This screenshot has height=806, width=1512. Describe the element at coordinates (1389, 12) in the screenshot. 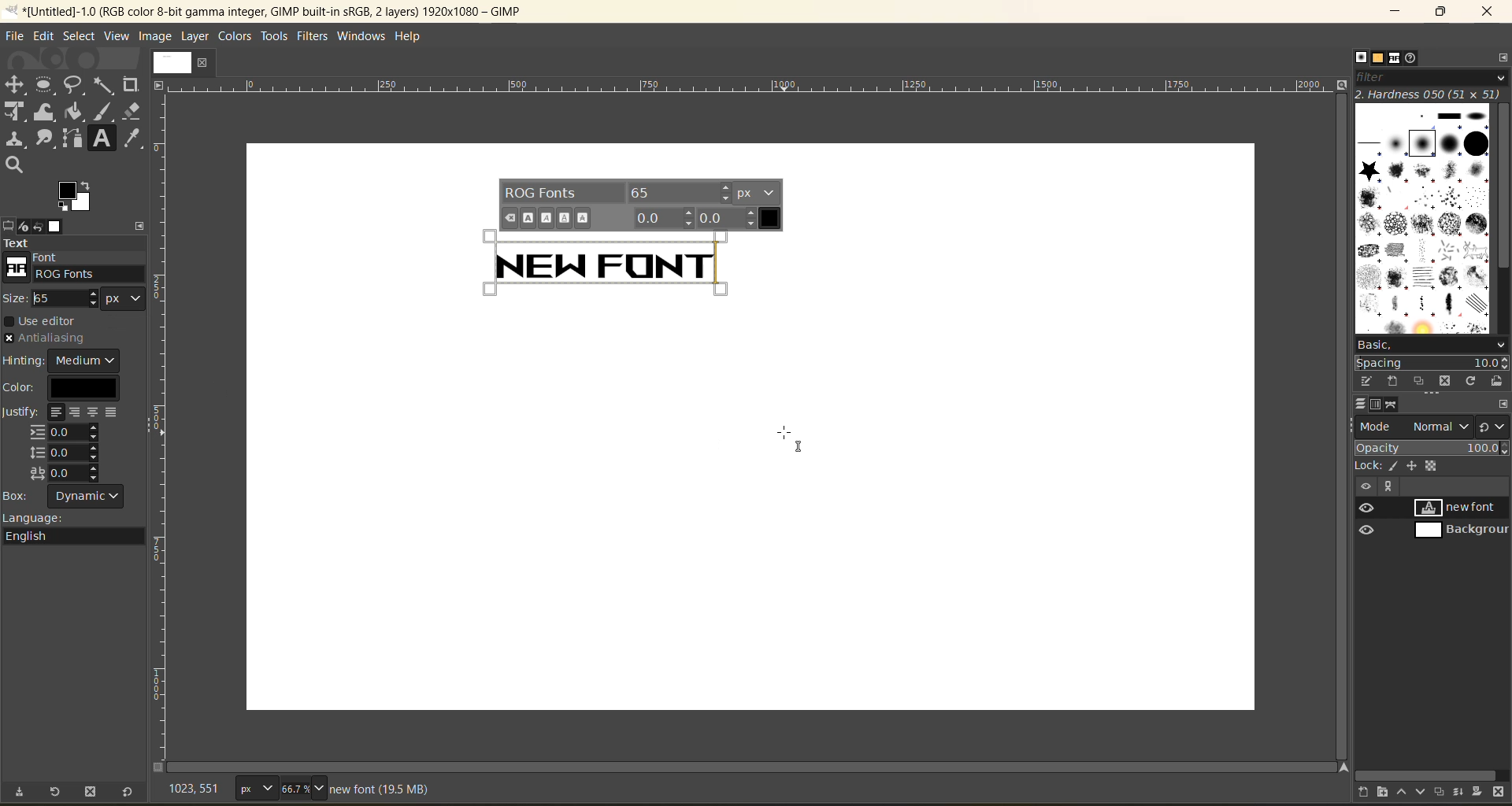

I see `minimize` at that location.